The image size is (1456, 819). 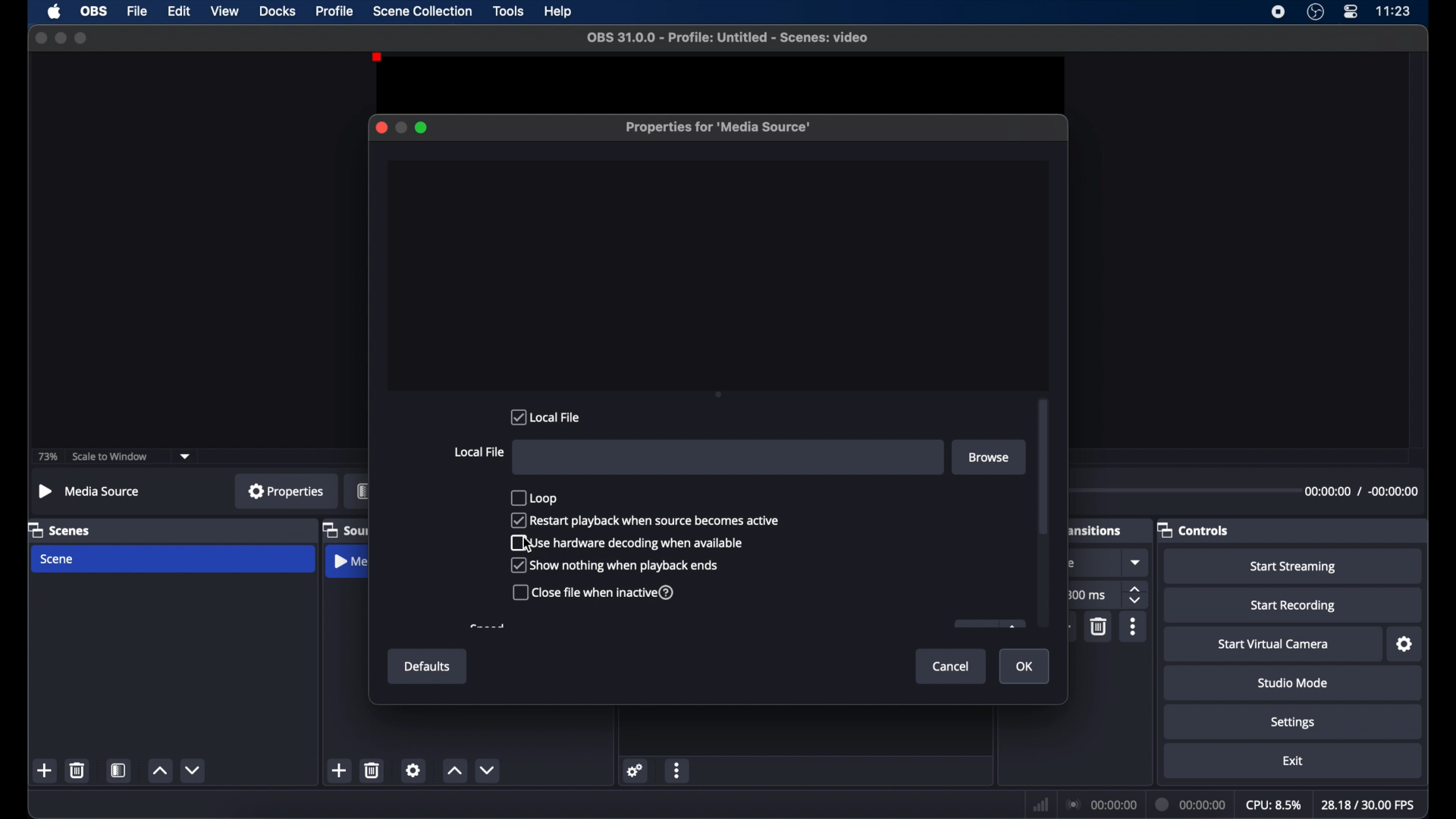 What do you see at coordinates (193, 770) in the screenshot?
I see `decrement` at bounding box center [193, 770].